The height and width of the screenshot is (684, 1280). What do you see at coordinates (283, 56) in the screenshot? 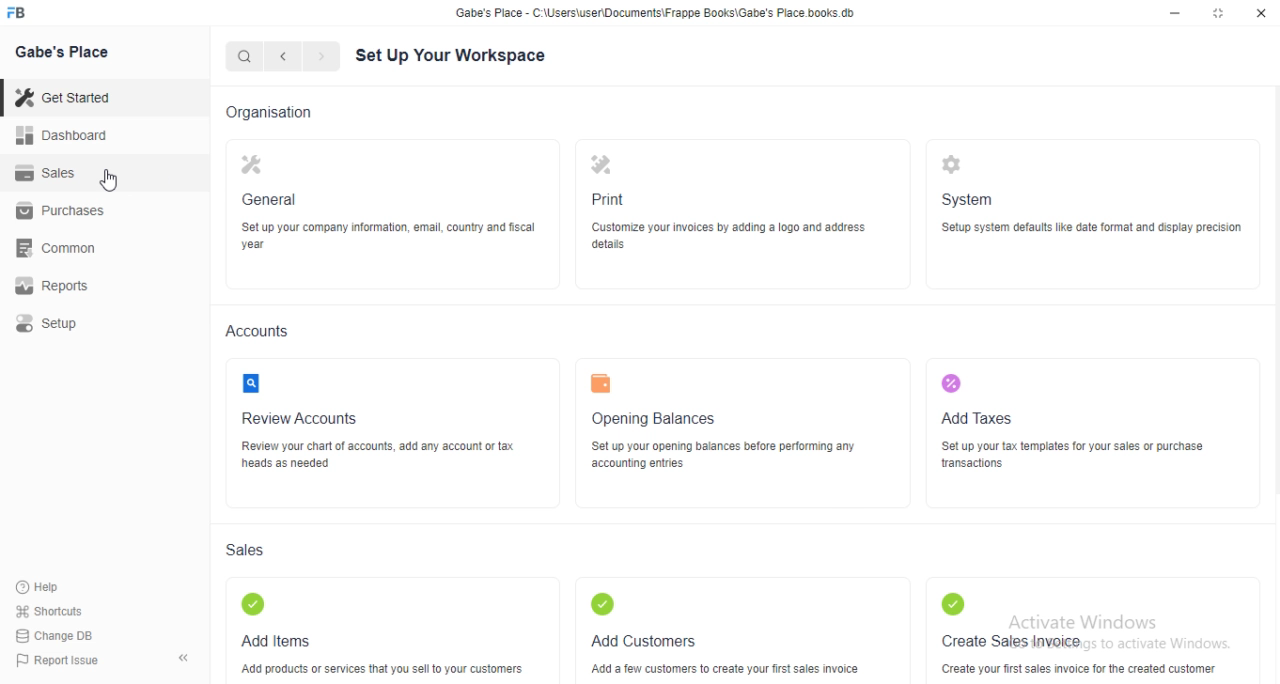
I see `previous` at bounding box center [283, 56].